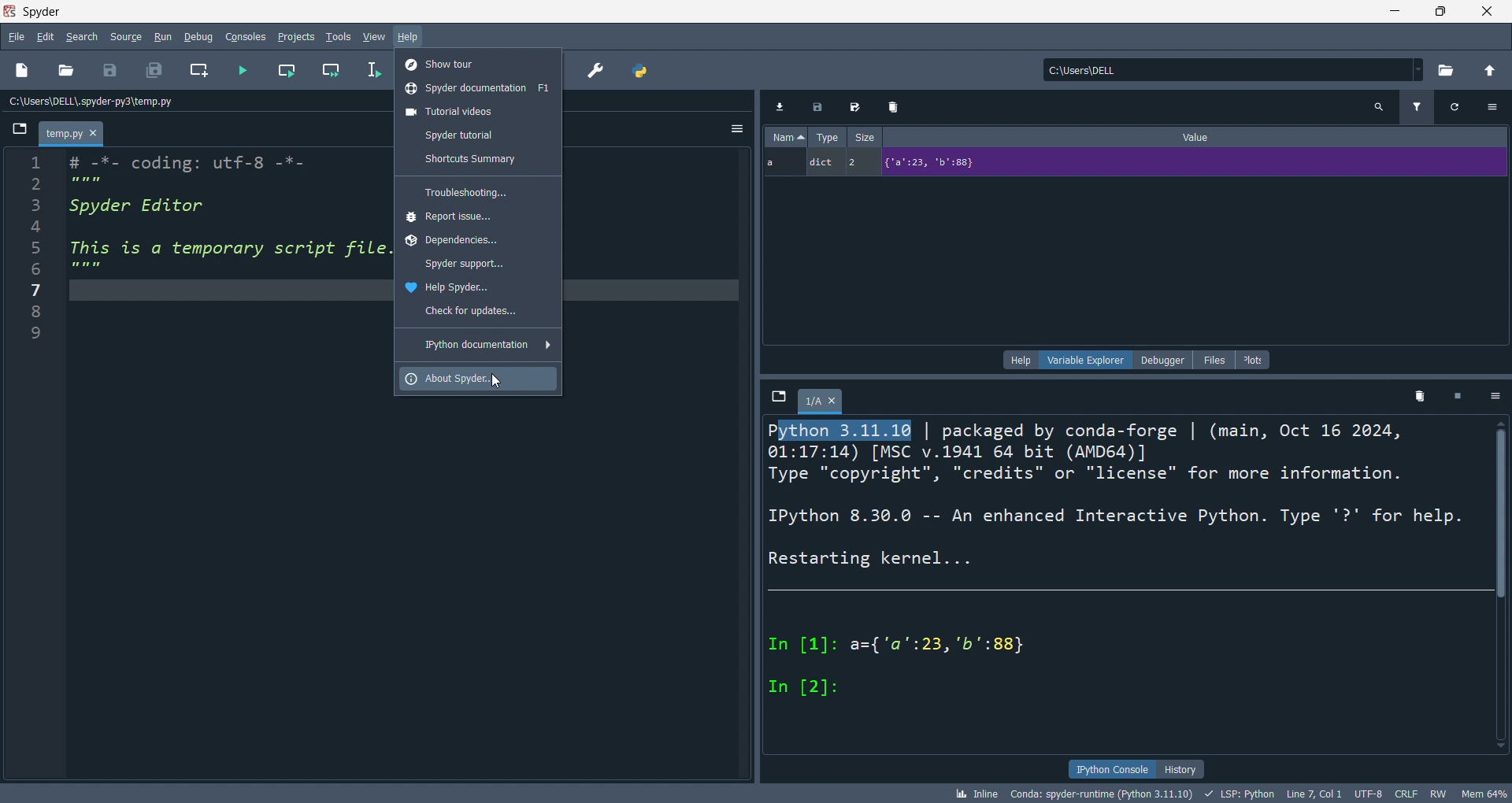  Describe the element at coordinates (478, 135) in the screenshot. I see `tutorial` at that location.